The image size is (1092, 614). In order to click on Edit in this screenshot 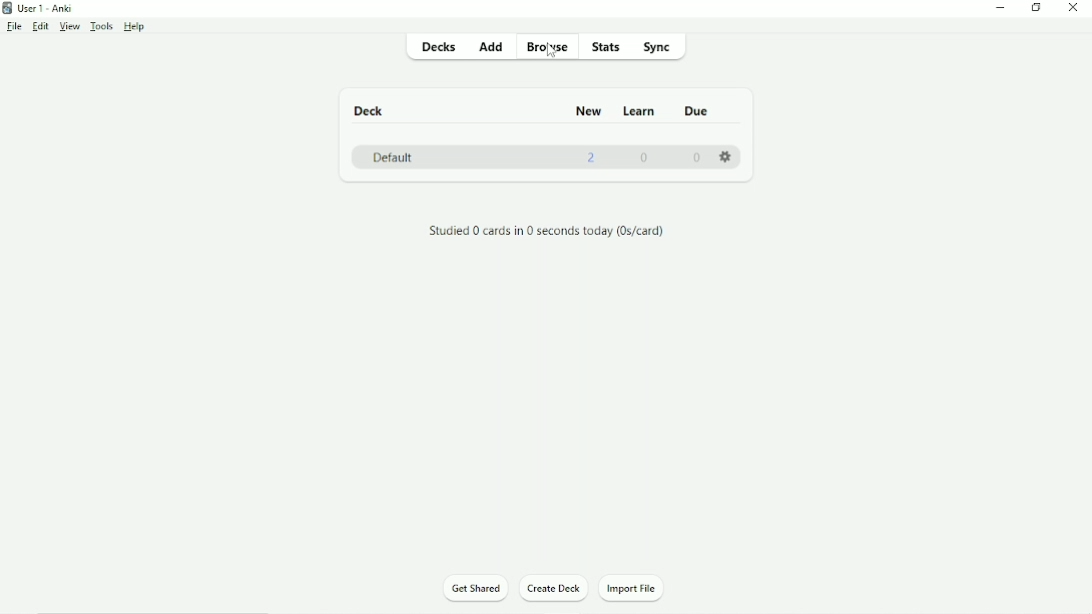, I will do `click(40, 26)`.